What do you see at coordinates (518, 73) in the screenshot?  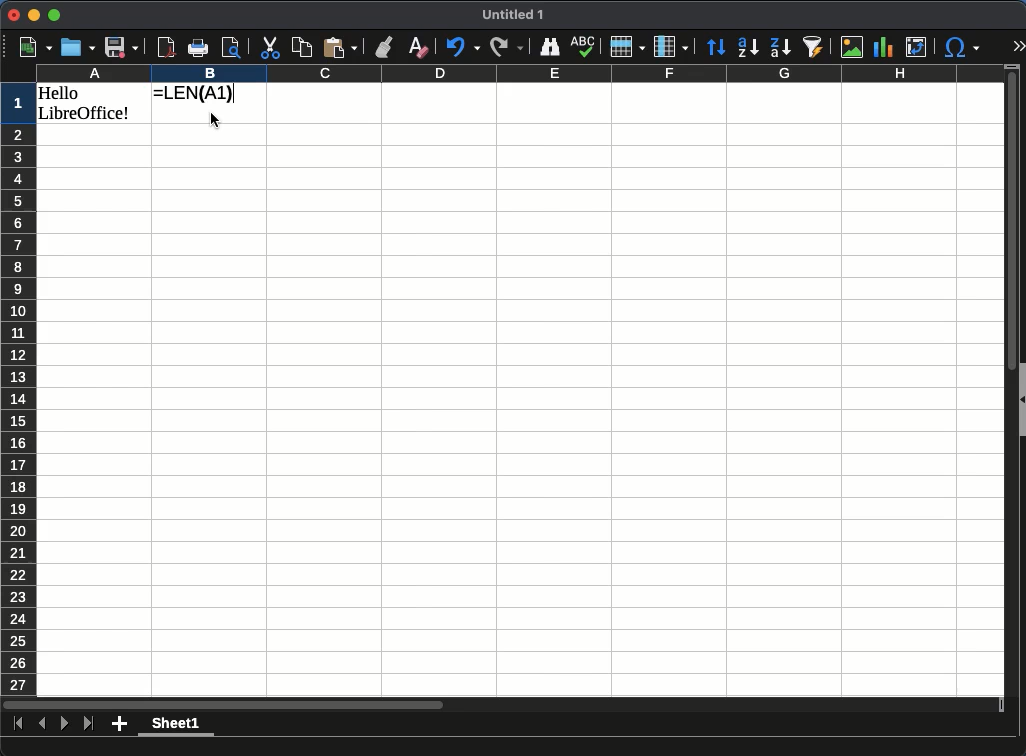 I see `columns` at bounding box center [518, 73].